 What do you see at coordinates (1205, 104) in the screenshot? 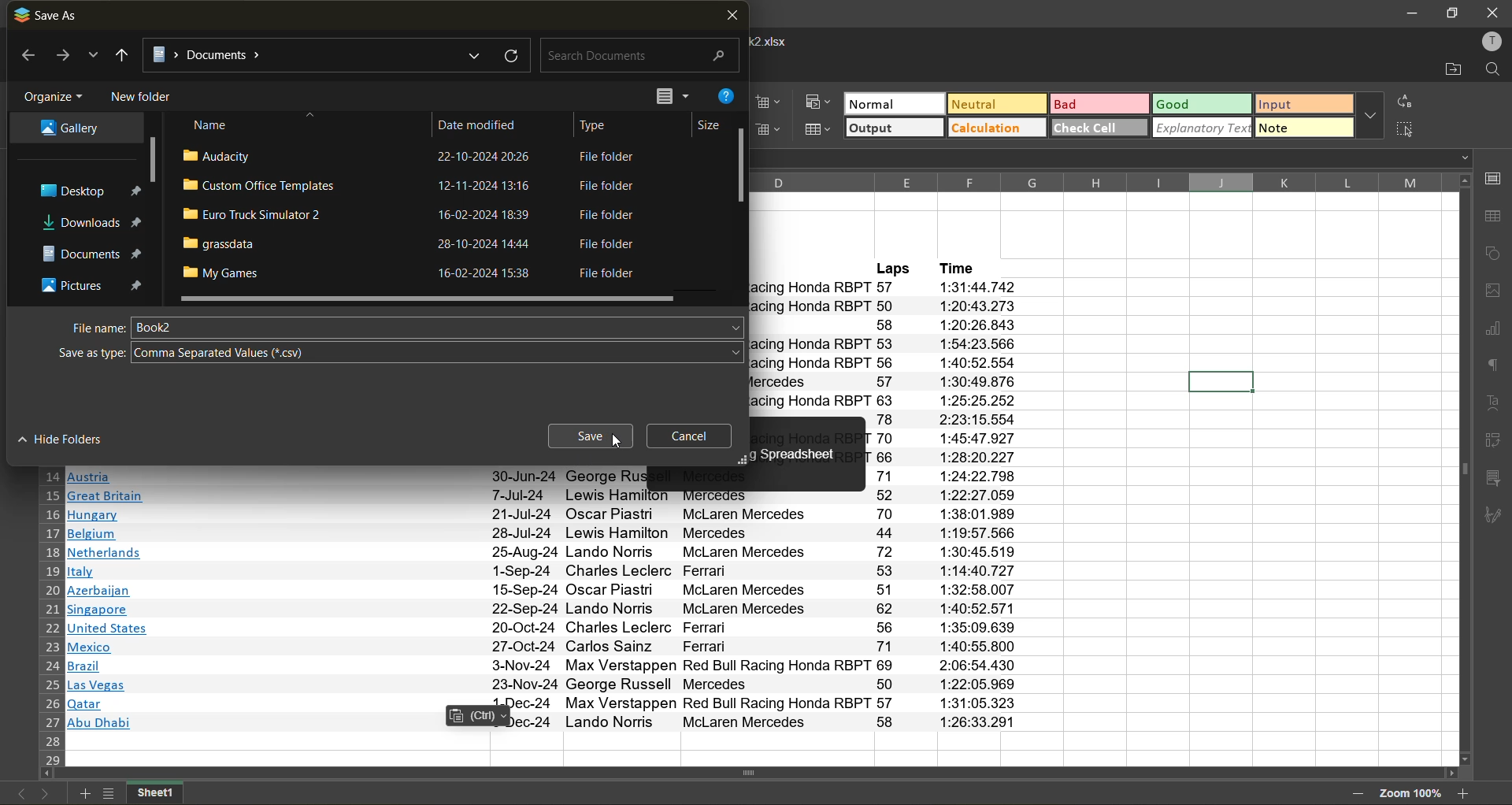
I see `good` at bounding box center [1205, 104].